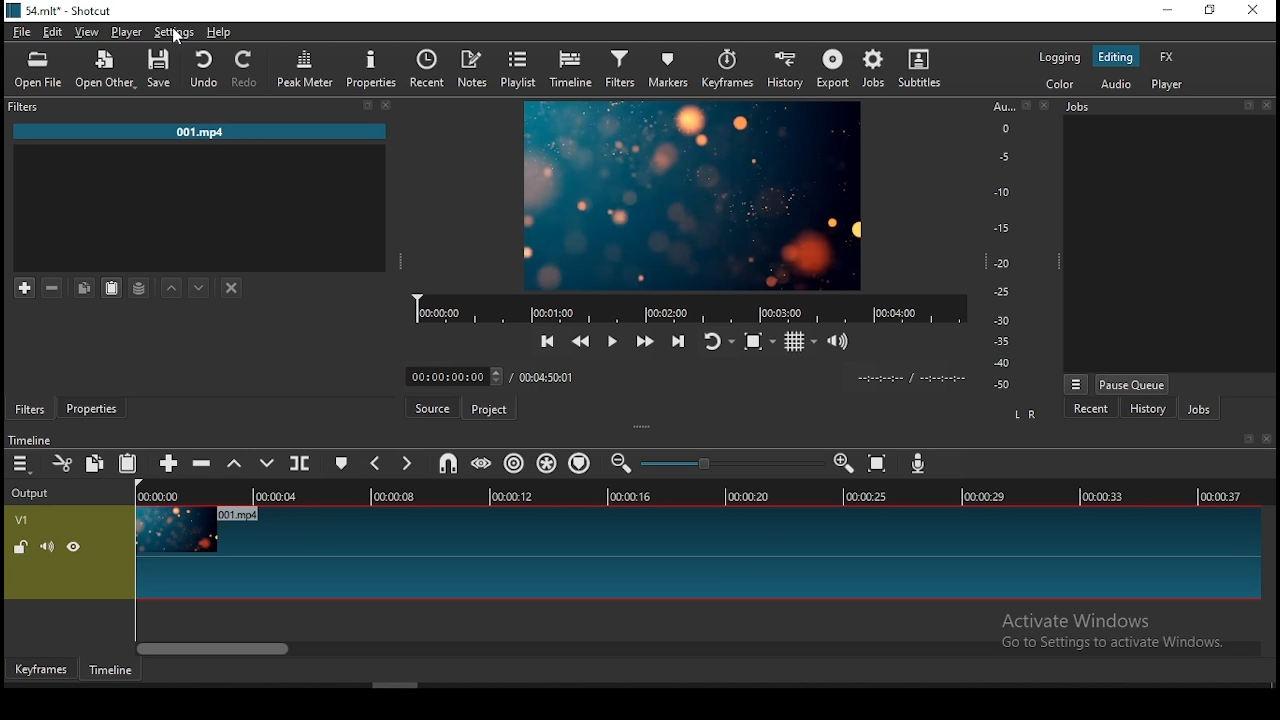 This screenshot has width=1280, height=720. I want to click on save filter set, so click(139, 285).